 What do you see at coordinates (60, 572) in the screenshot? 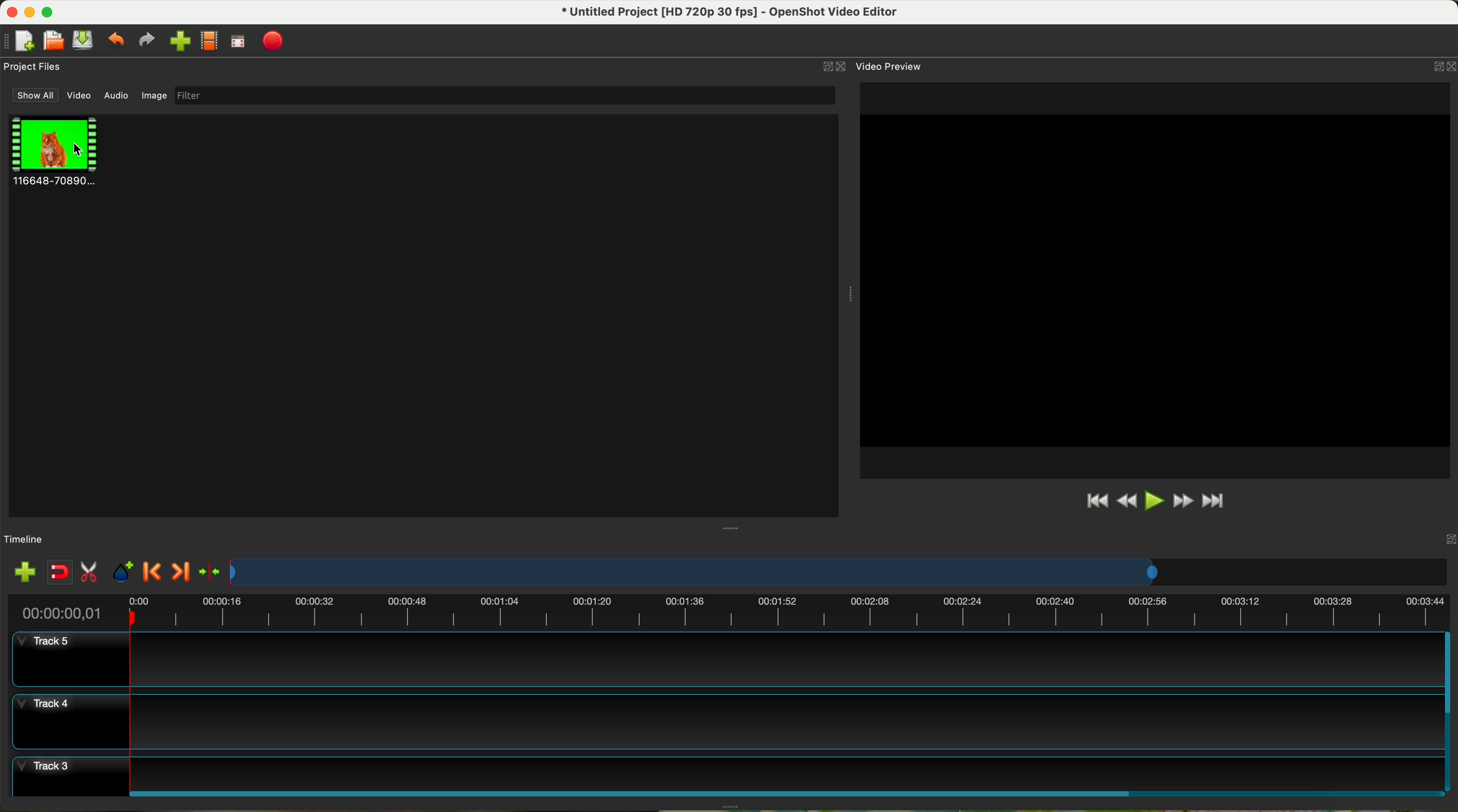
I see `disable snapping` at bounding box center [60, 572].